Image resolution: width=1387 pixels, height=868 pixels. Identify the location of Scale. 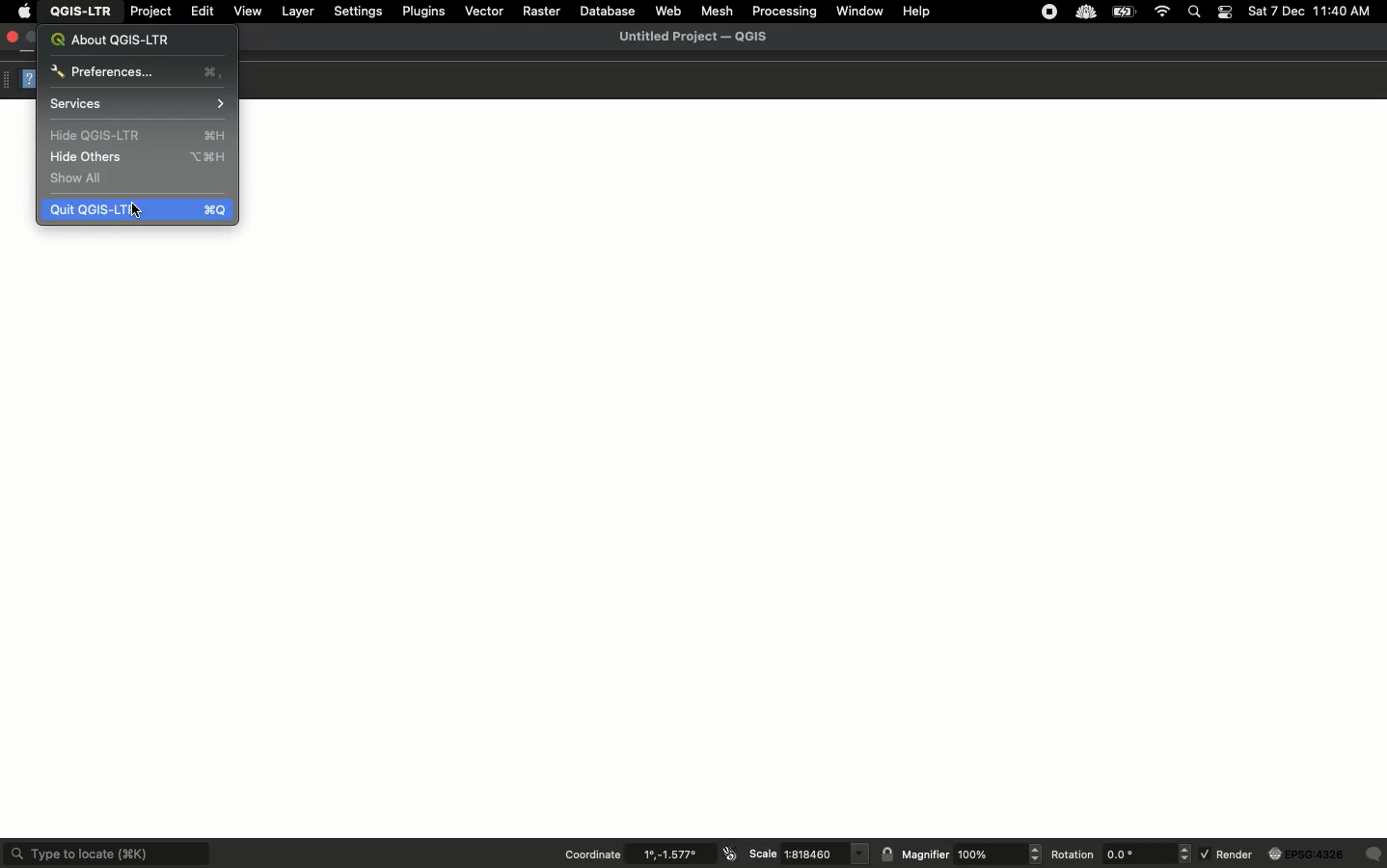
(808, 853).